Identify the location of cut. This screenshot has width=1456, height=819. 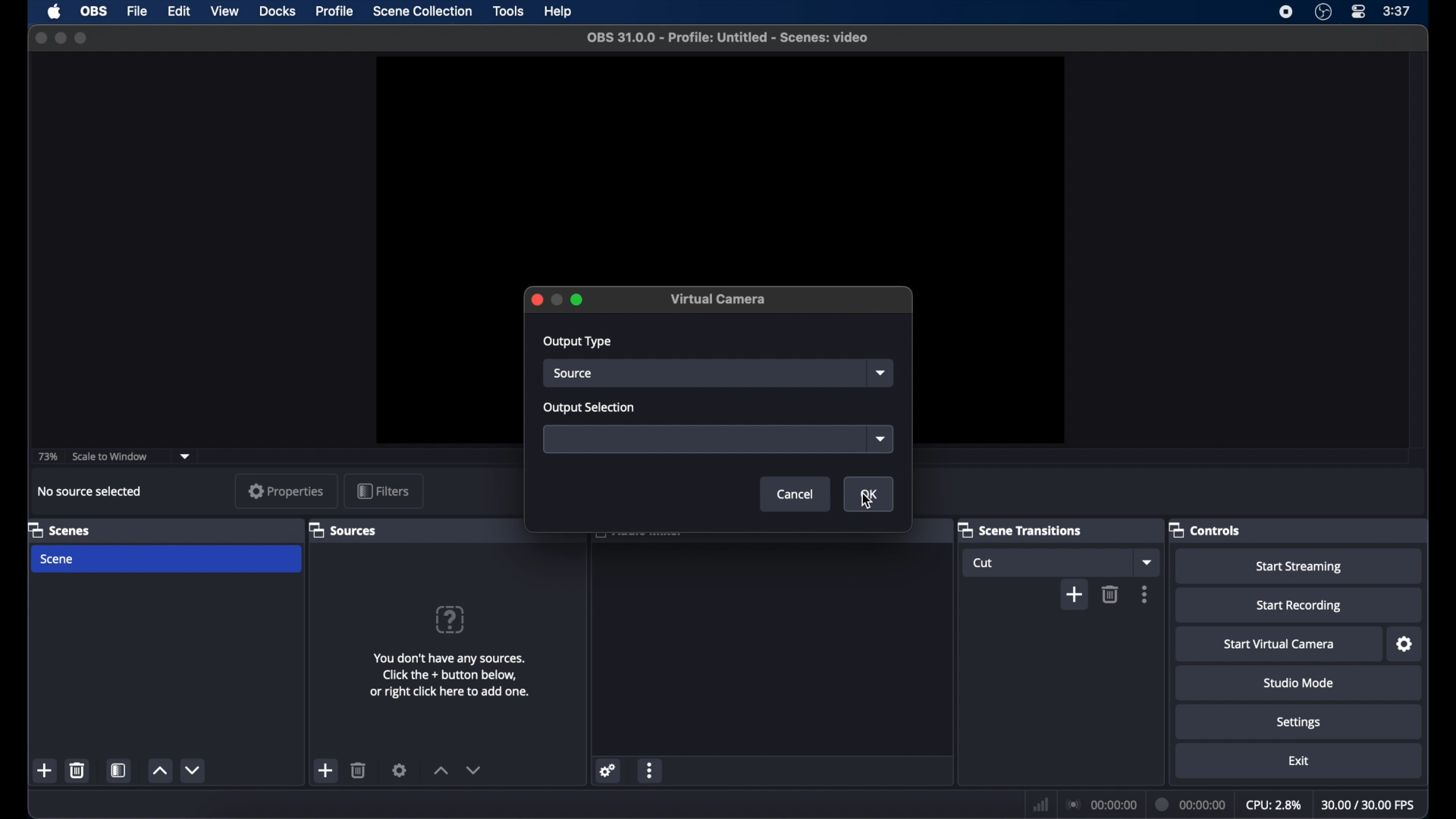
(987, 563).